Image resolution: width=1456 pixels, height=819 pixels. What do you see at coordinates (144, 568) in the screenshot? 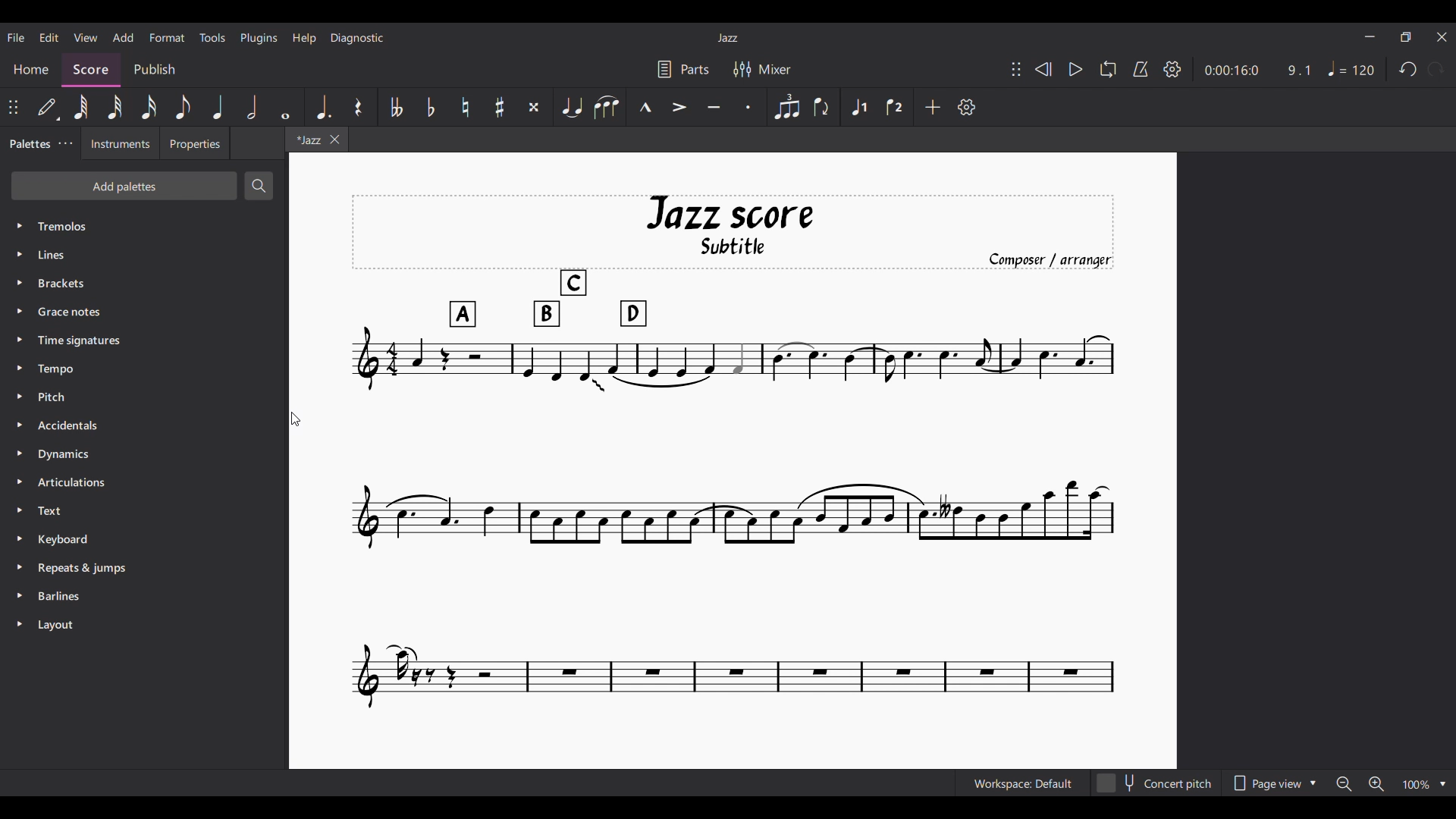
I see `Repeats and jumps` at bounding box center [144, 568].